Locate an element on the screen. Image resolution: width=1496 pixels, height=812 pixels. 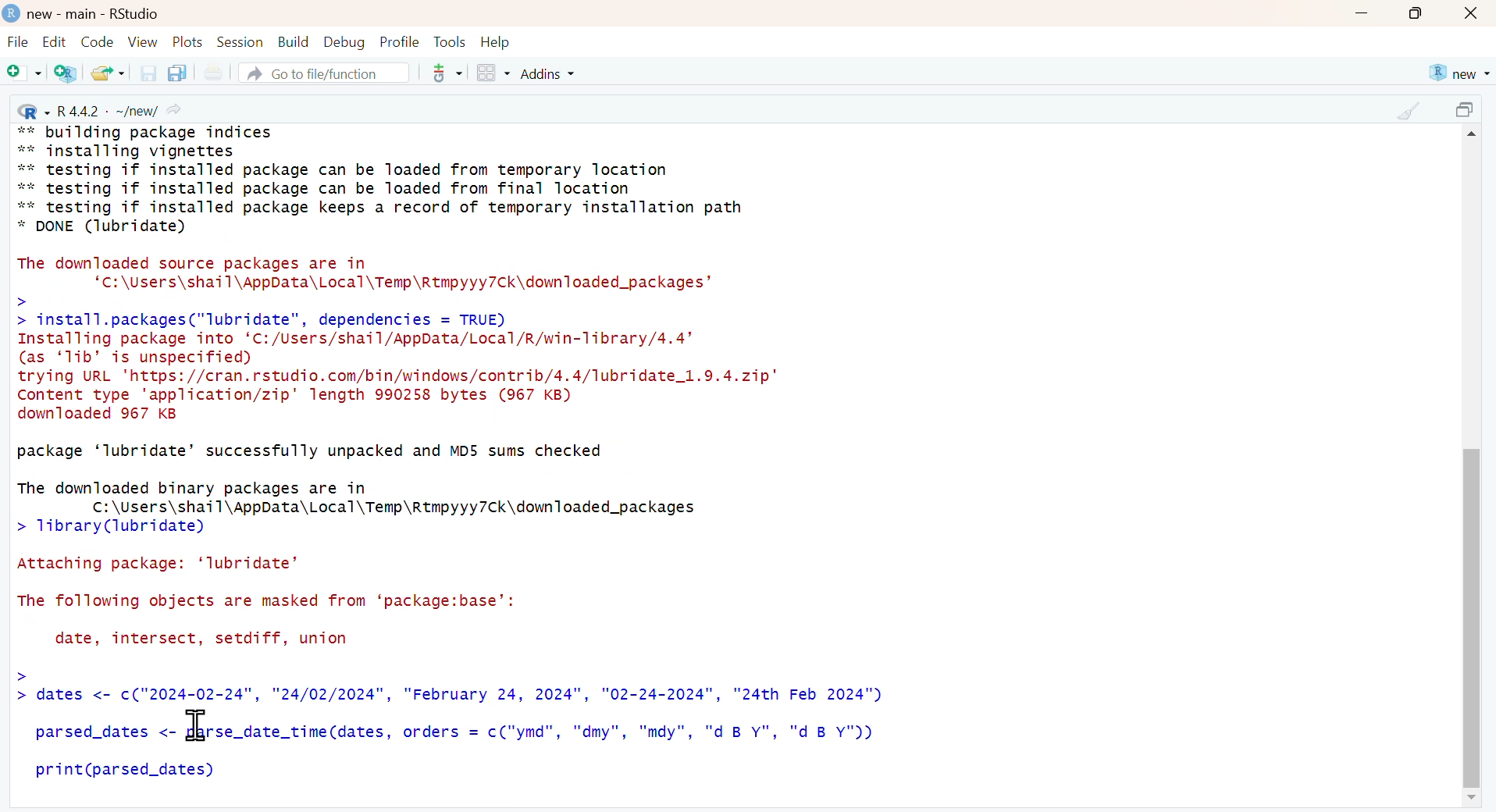
Go to file/function is located at coordinates (322, 73).